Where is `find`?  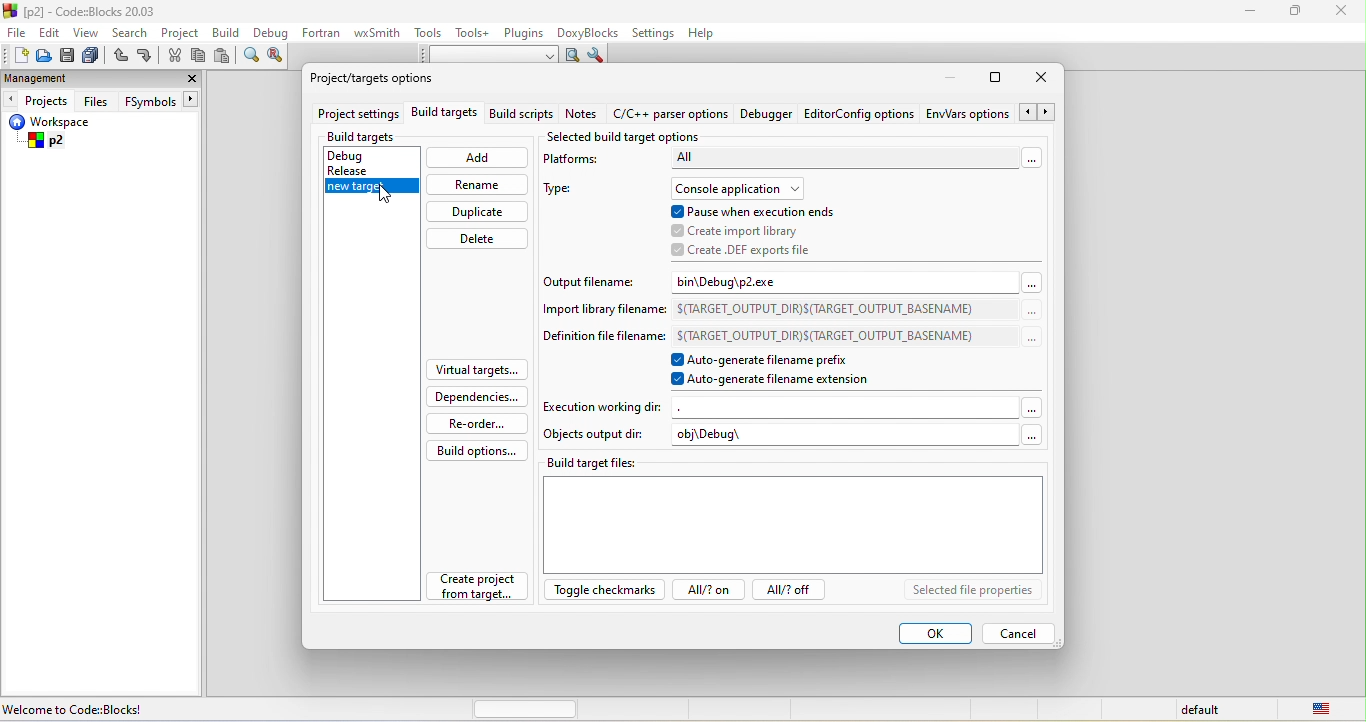 find is located at coordinates (252, 58).